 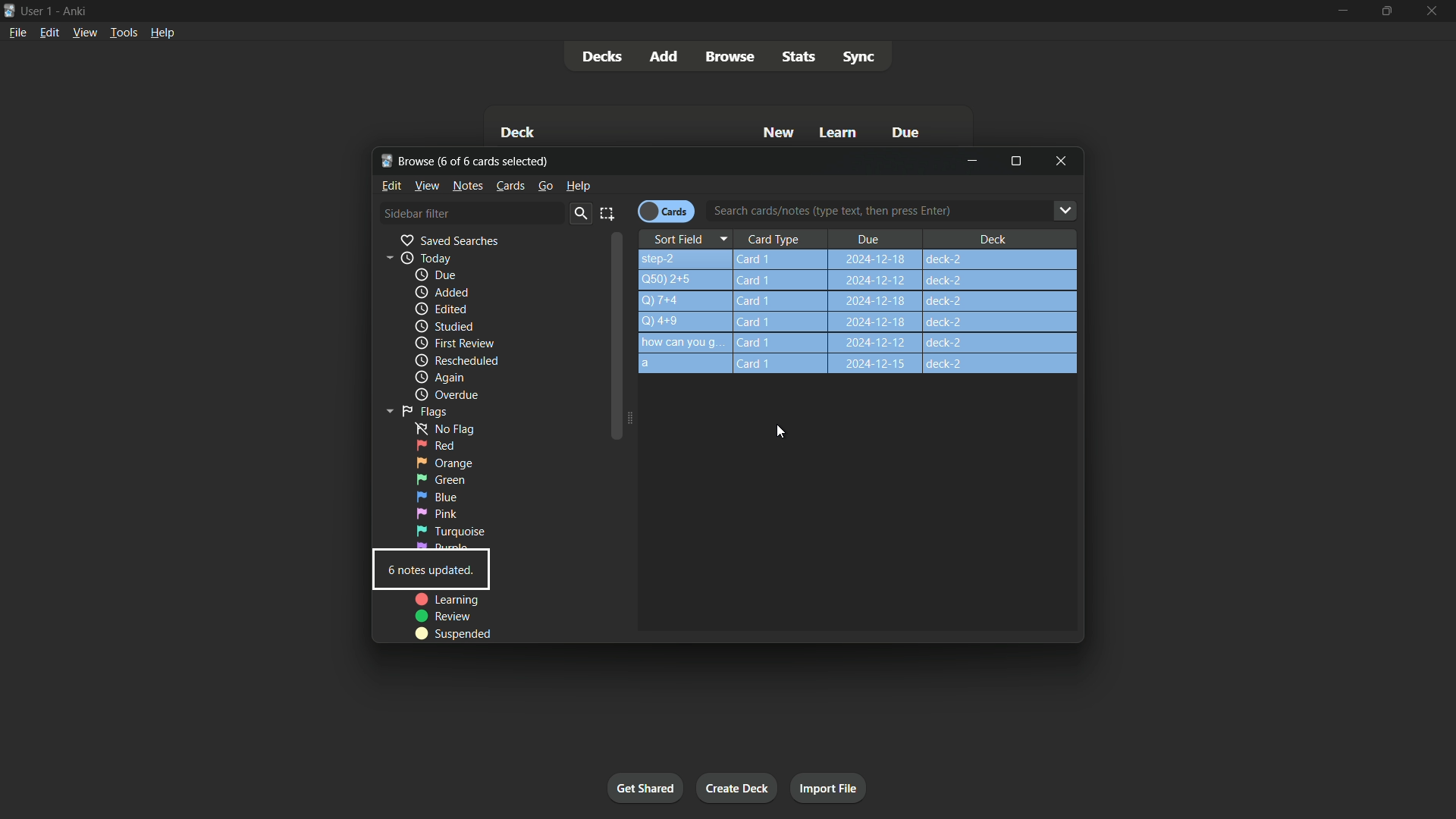 What do you see at coordinates (78, 11) in the screenshot?
I see `App name` at bounding box center [78, 11].